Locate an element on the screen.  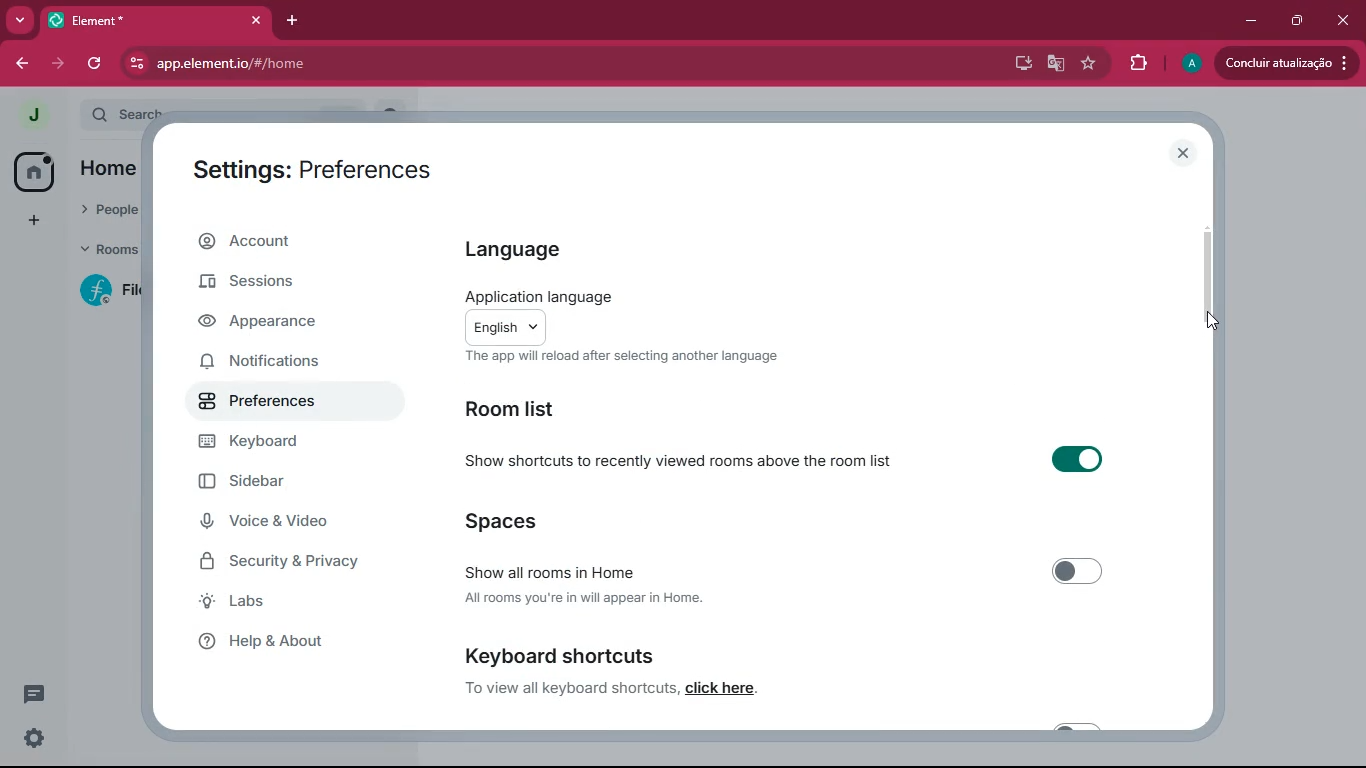
add tab is located at coordinates (288, 20).